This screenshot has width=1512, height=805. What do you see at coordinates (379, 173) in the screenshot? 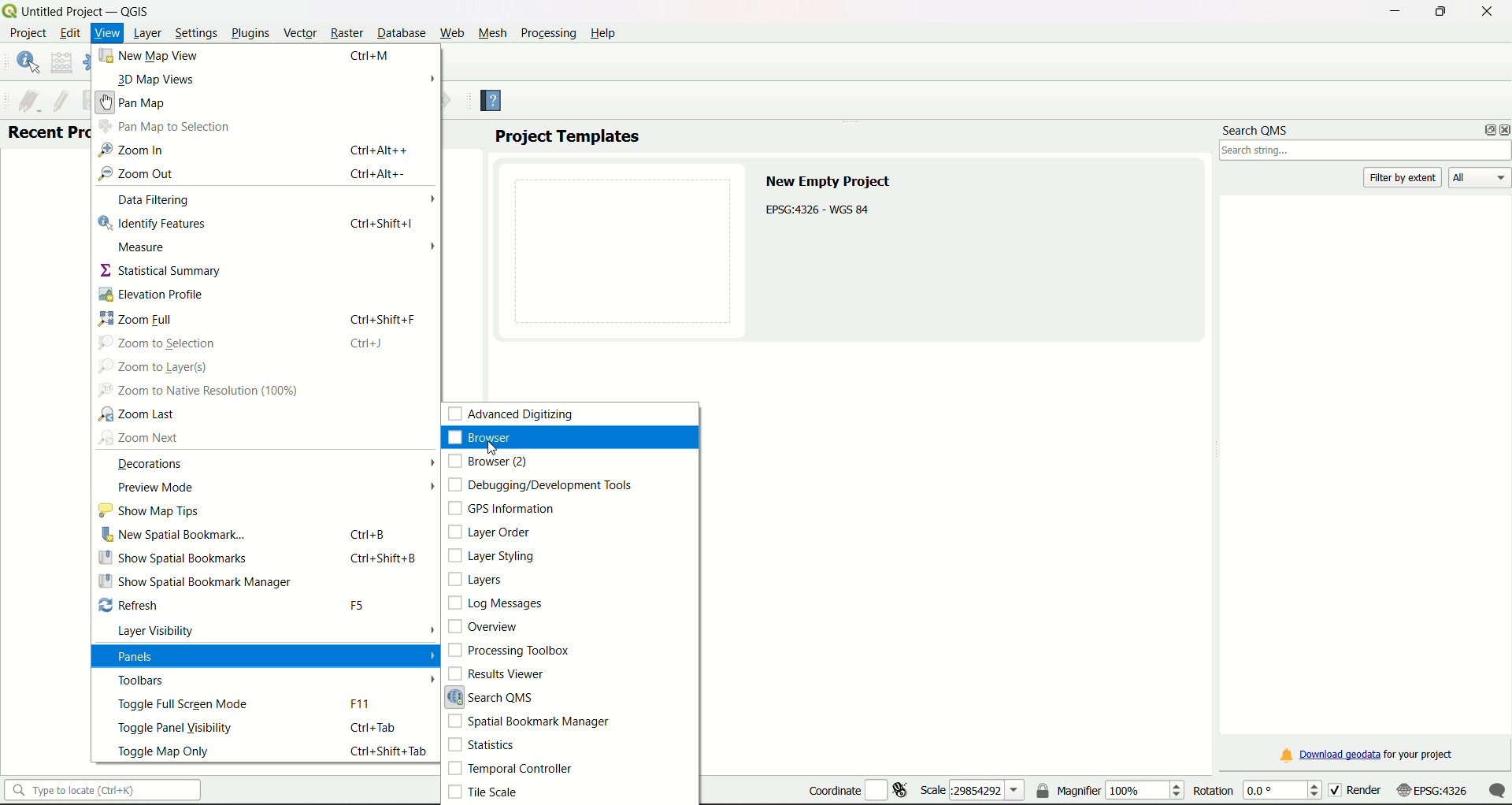
I see `ctrl+Alt+-` at bounding box center [379, 173].